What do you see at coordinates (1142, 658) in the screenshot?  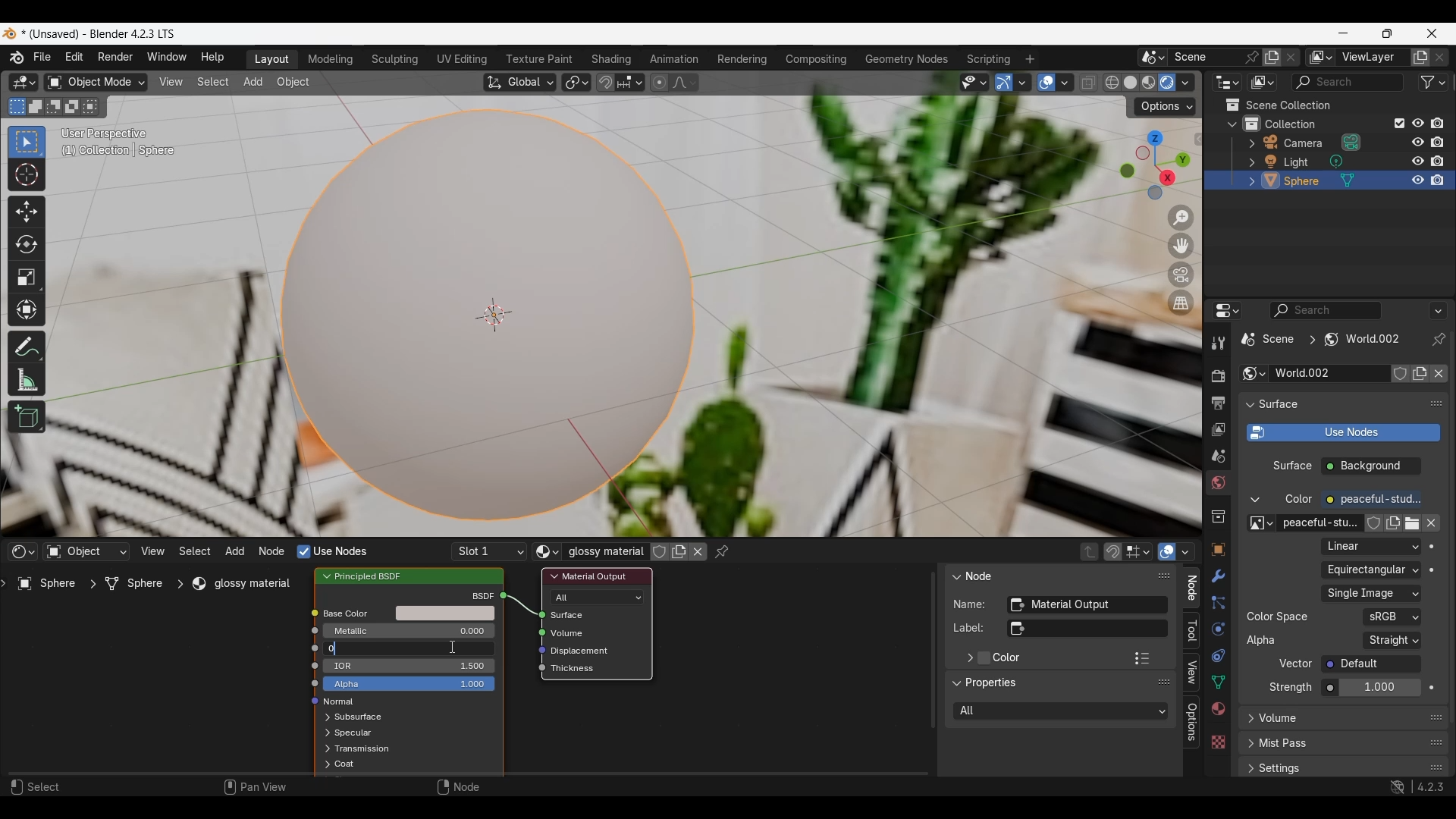 I see `Color presets` at bounding box center [1142, 658].